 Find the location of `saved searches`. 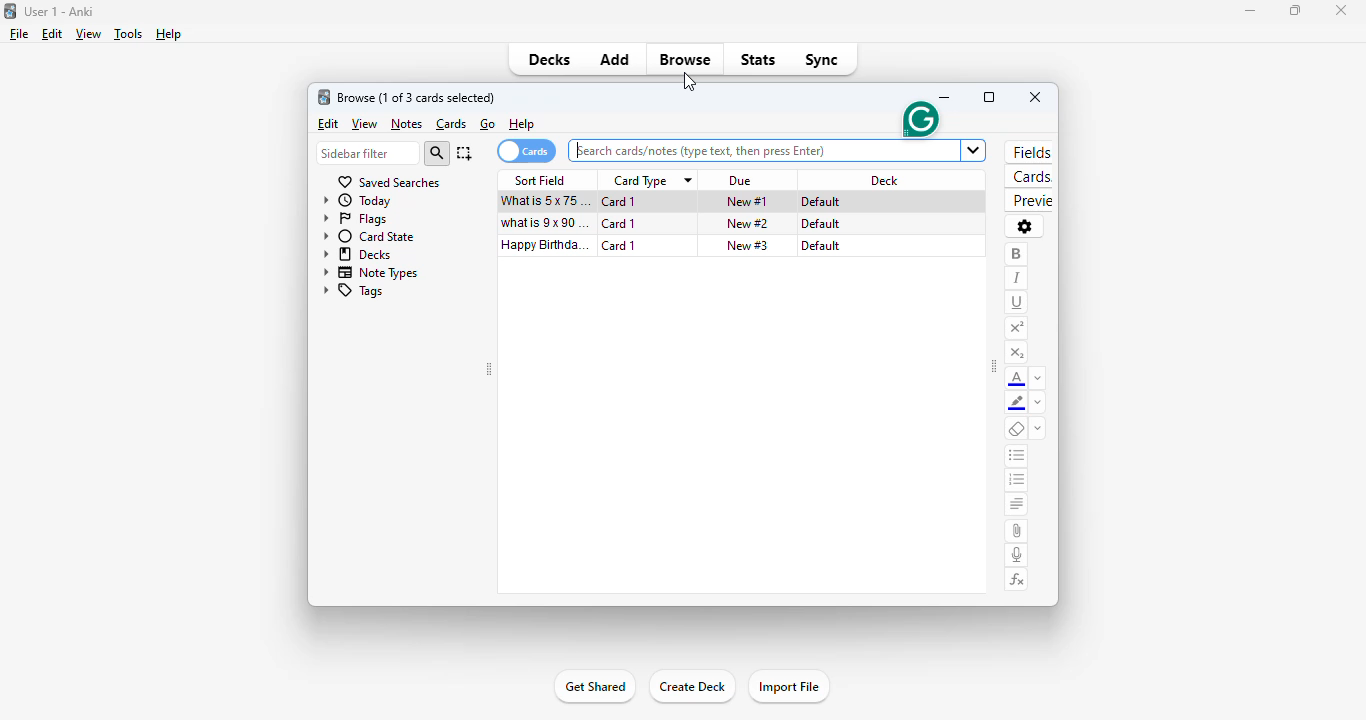

saved searches is located at coordinates (388, 183).